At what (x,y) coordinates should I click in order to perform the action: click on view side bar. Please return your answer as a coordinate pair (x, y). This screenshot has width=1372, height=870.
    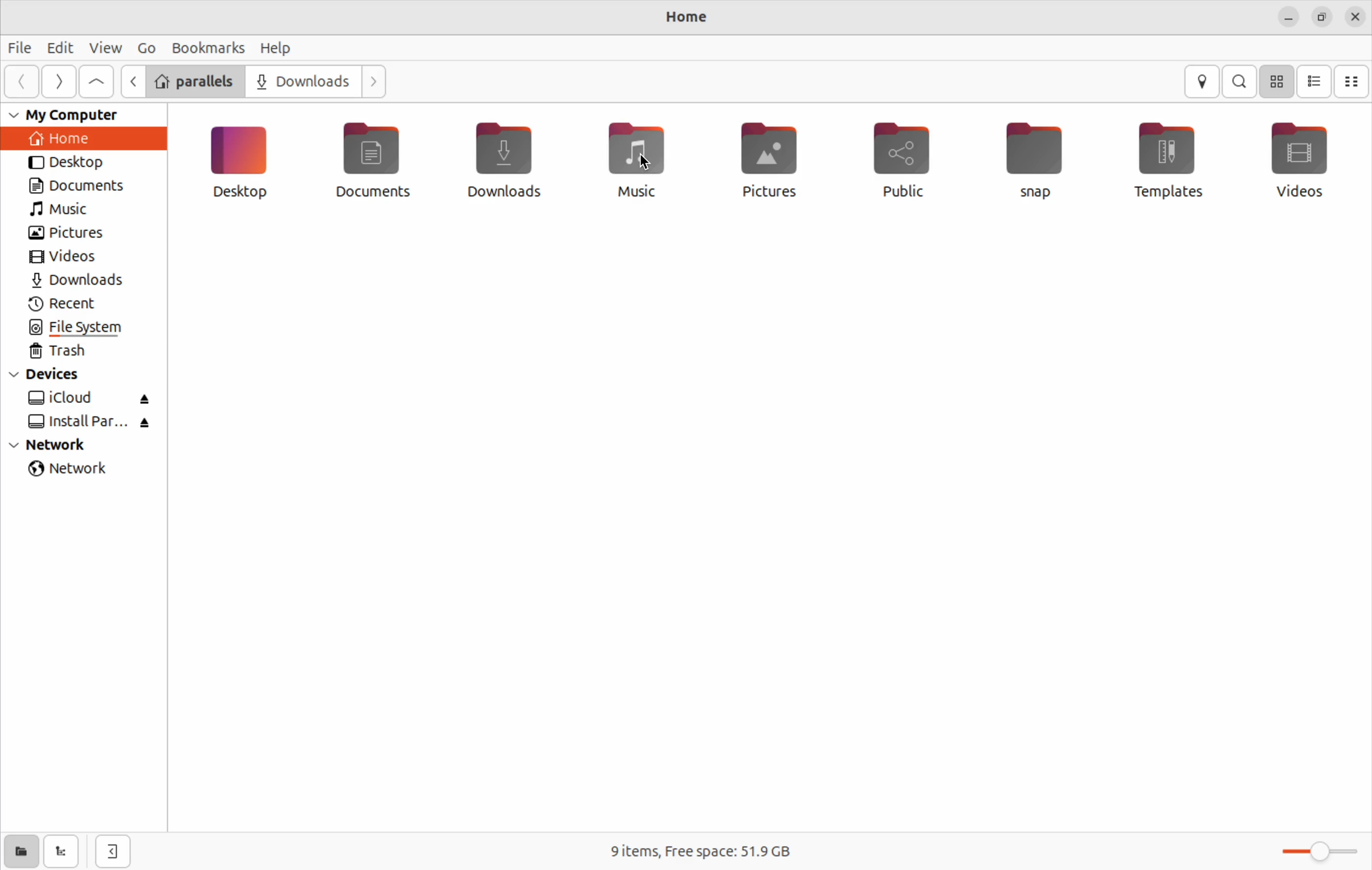
    Looking at the image, I should click on (115, 851).